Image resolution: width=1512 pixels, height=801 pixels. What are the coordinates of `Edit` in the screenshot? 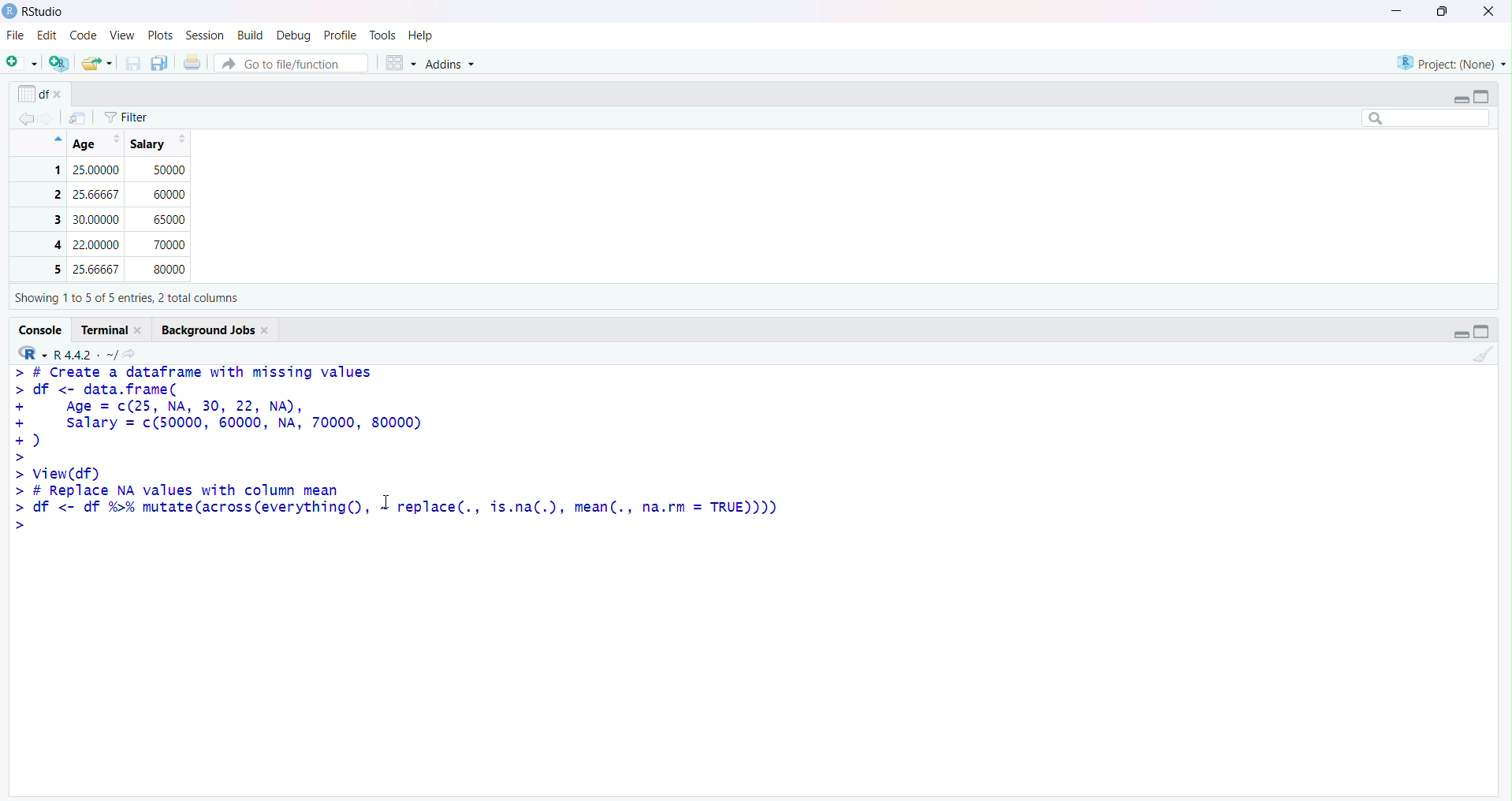 It's located at (48, 35).